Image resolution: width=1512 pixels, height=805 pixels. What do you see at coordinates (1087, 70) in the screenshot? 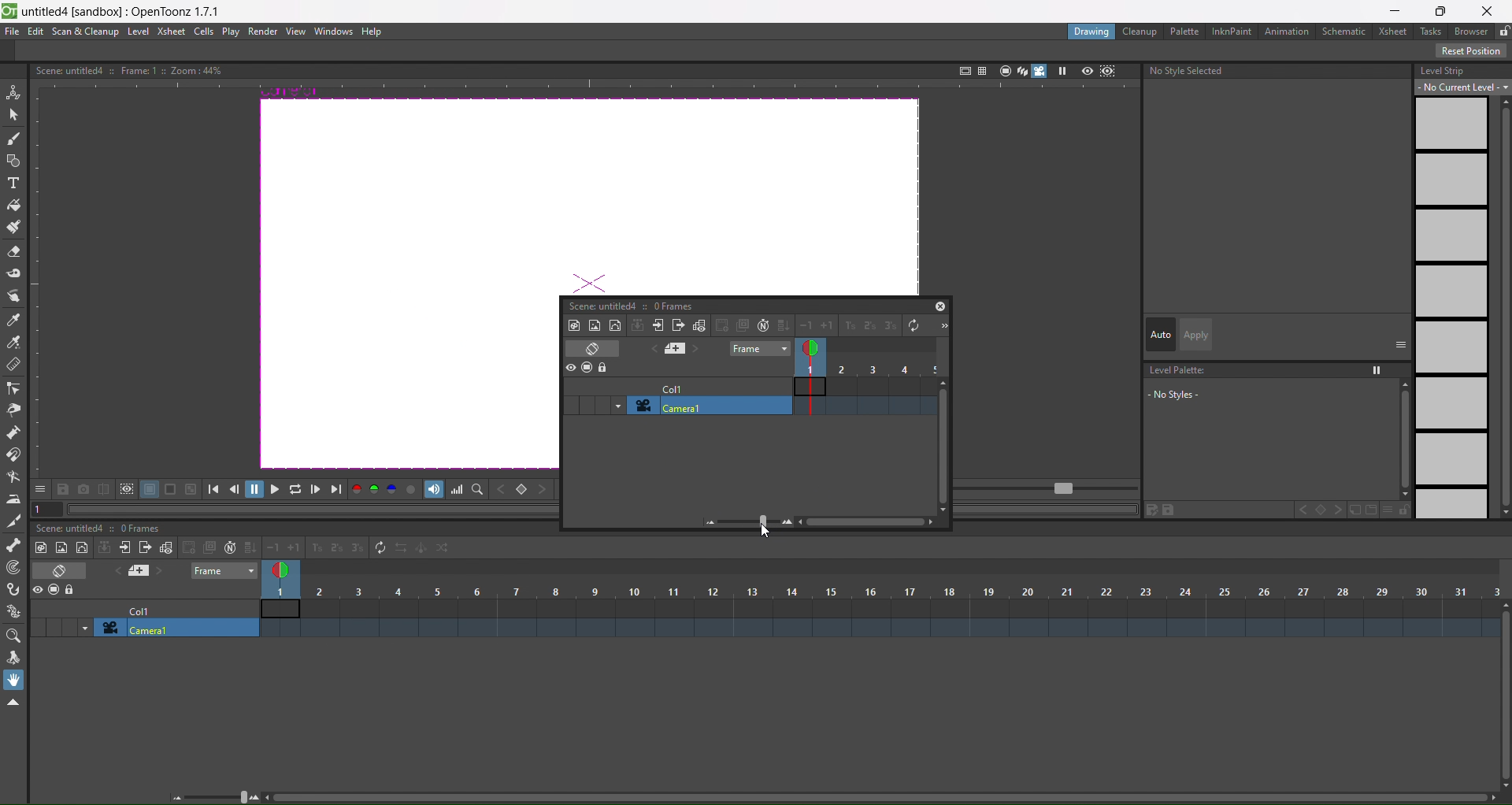
I see `preview` at bounding box center [1087, 70].